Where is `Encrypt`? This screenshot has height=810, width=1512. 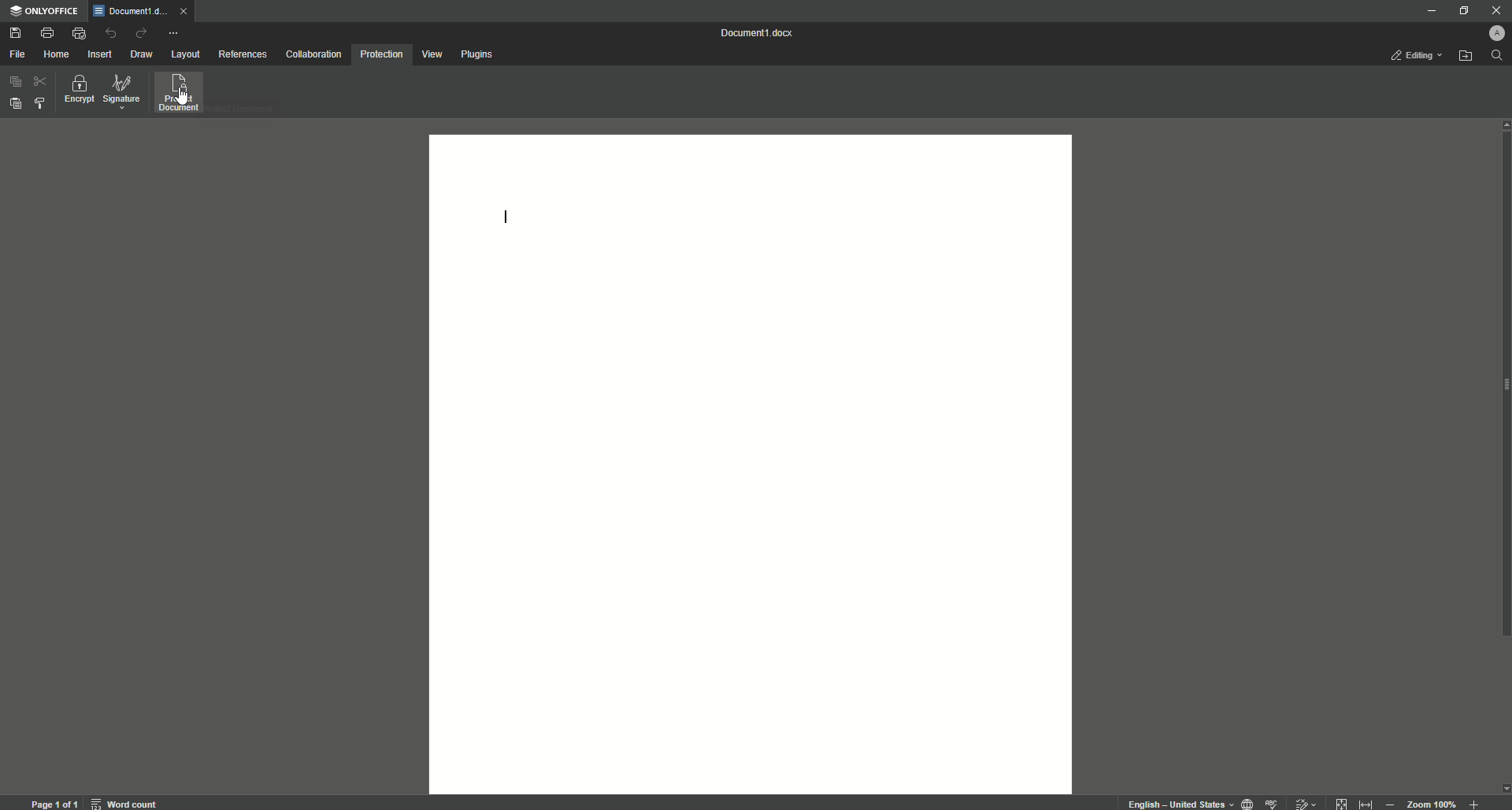 Encrypt is located at coordinates (76, 91).